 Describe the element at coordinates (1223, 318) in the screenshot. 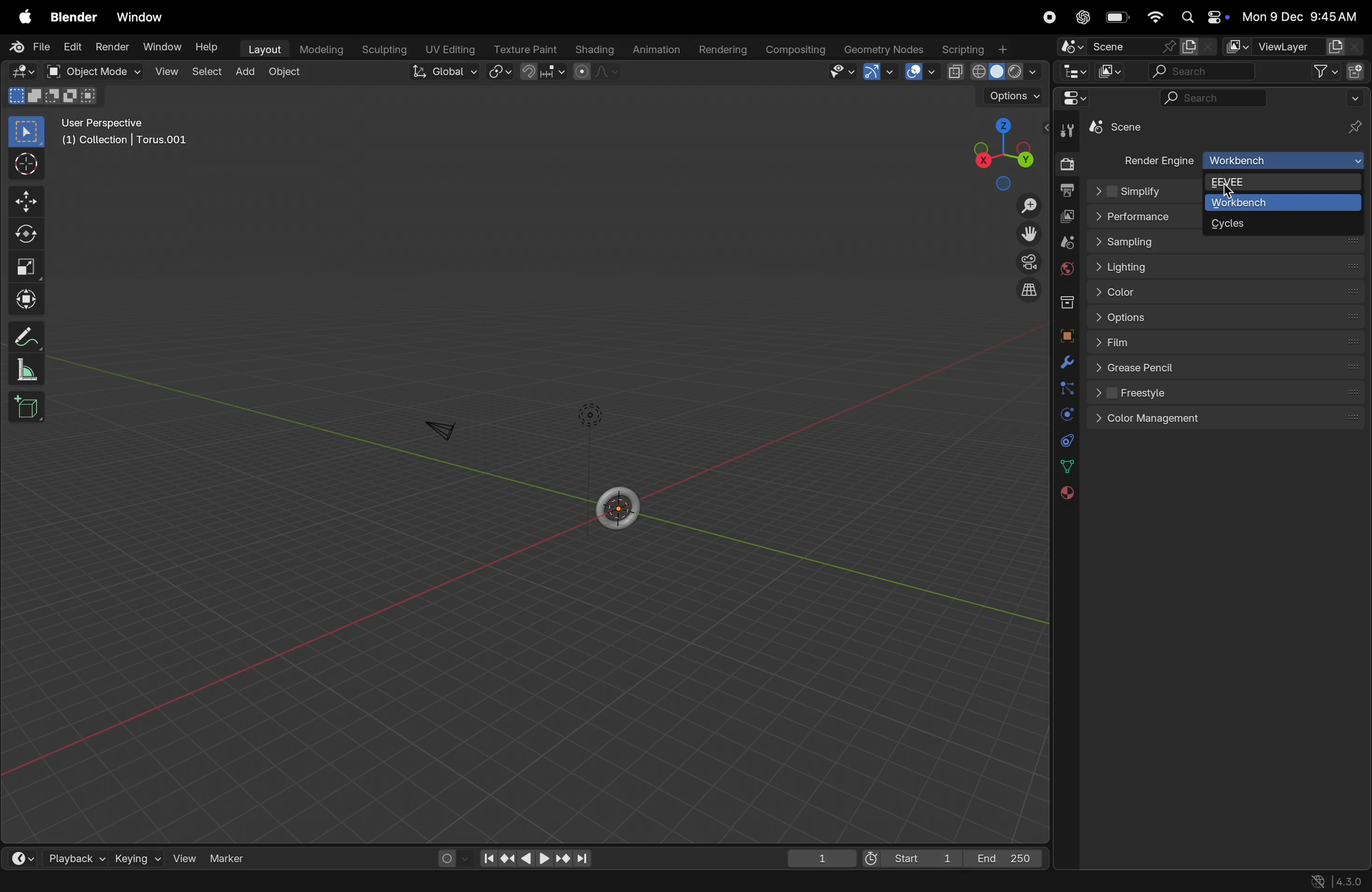

I see `options` at that location.